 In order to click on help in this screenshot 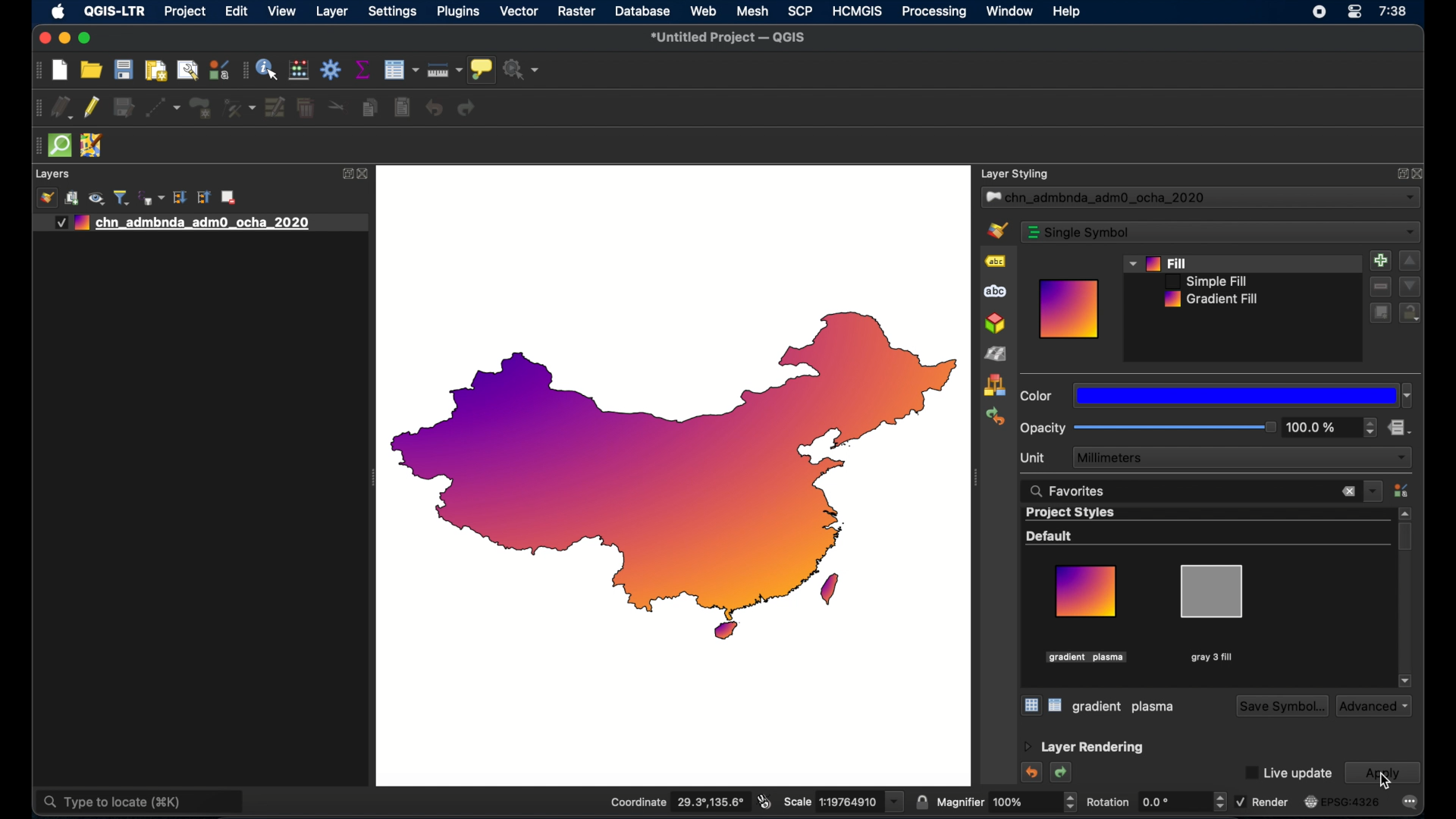, I will do `click(1066, 12)`.